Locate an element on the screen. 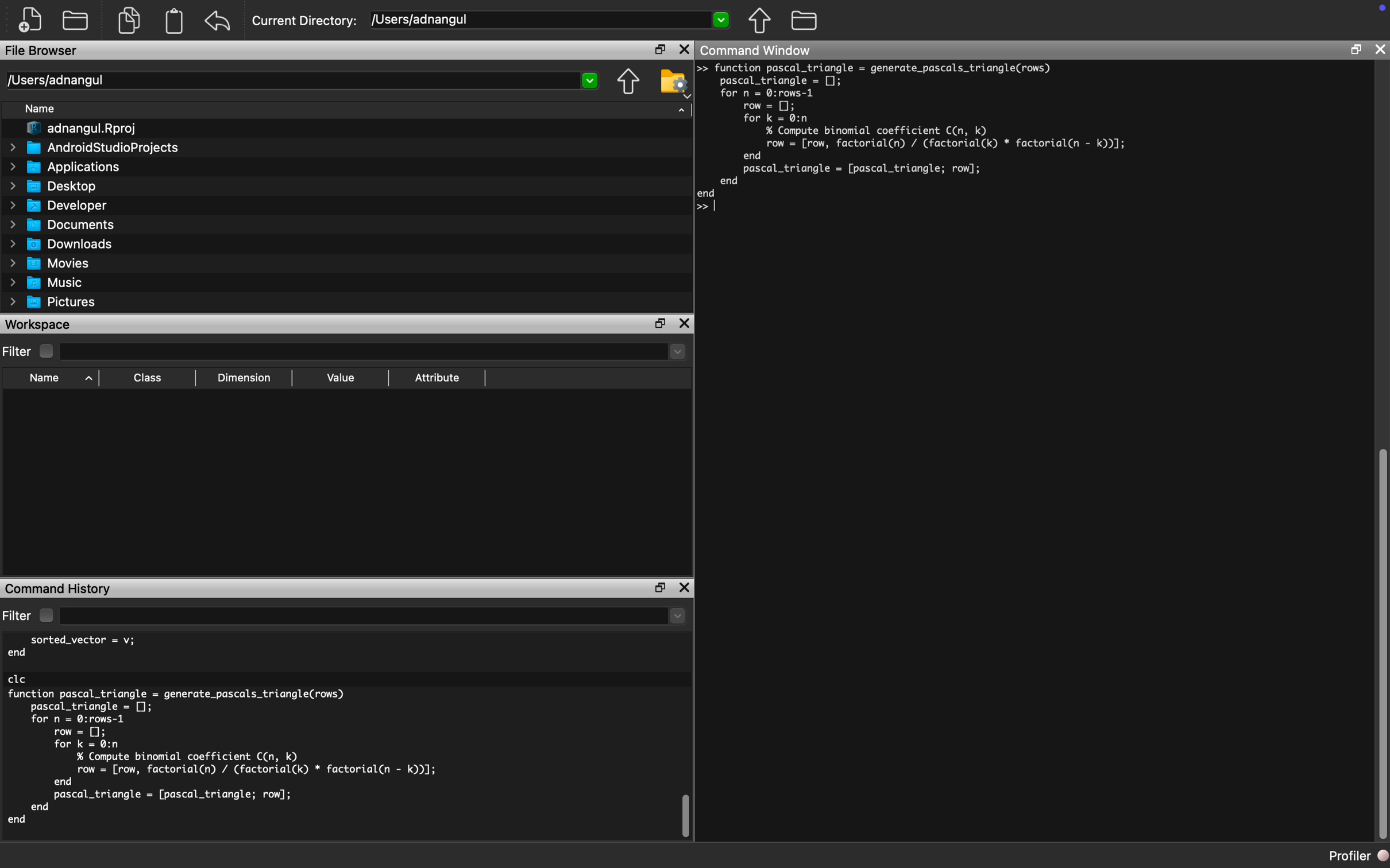 This screenshot has height=868, width=1390. File Browser is located at coordinates (45, 51).